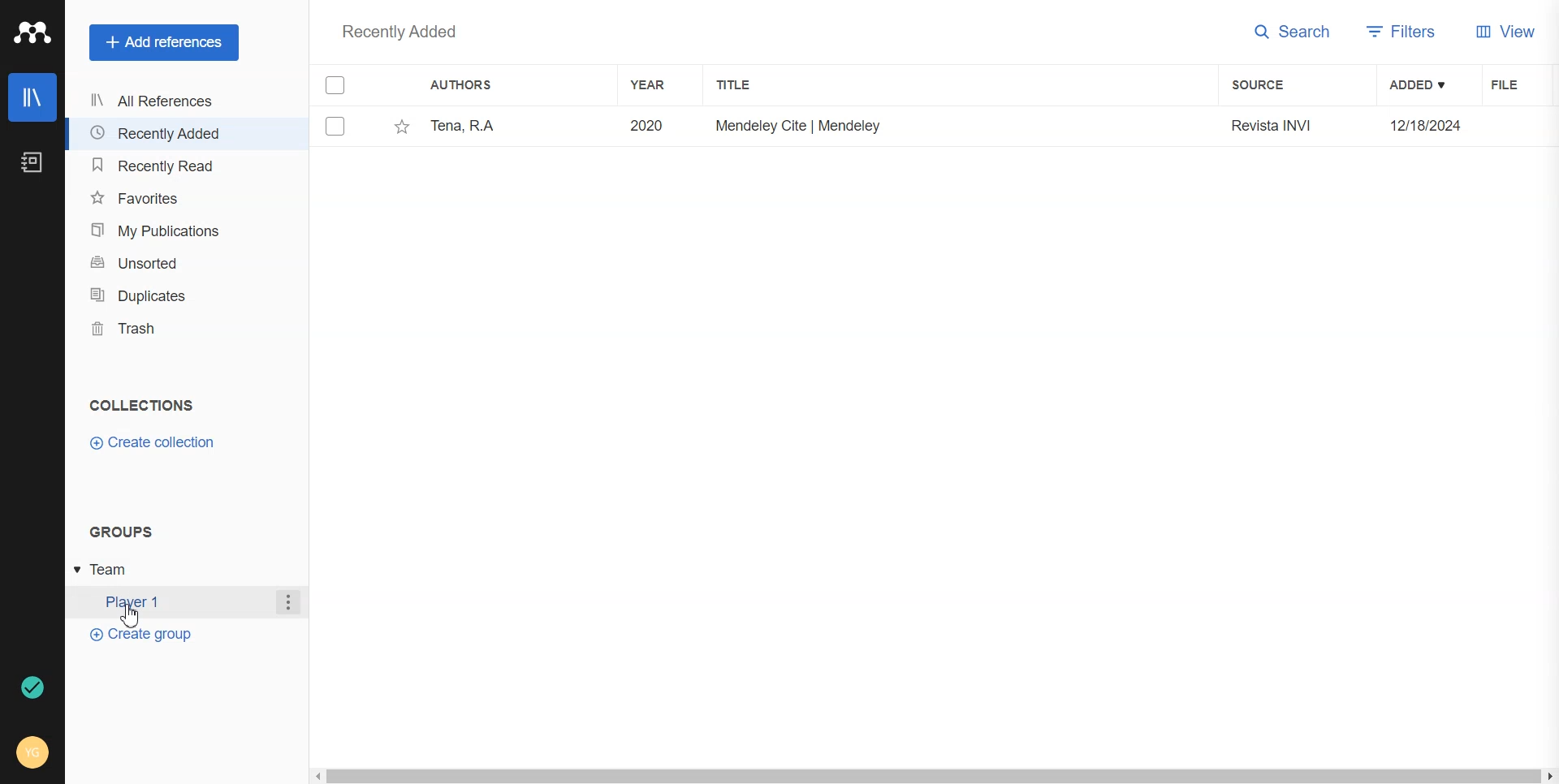 This screenshot has width=1559, height=784. Describe the element at coordinates (164, 166) in the screenshot. I see `Recently Read` at that location.